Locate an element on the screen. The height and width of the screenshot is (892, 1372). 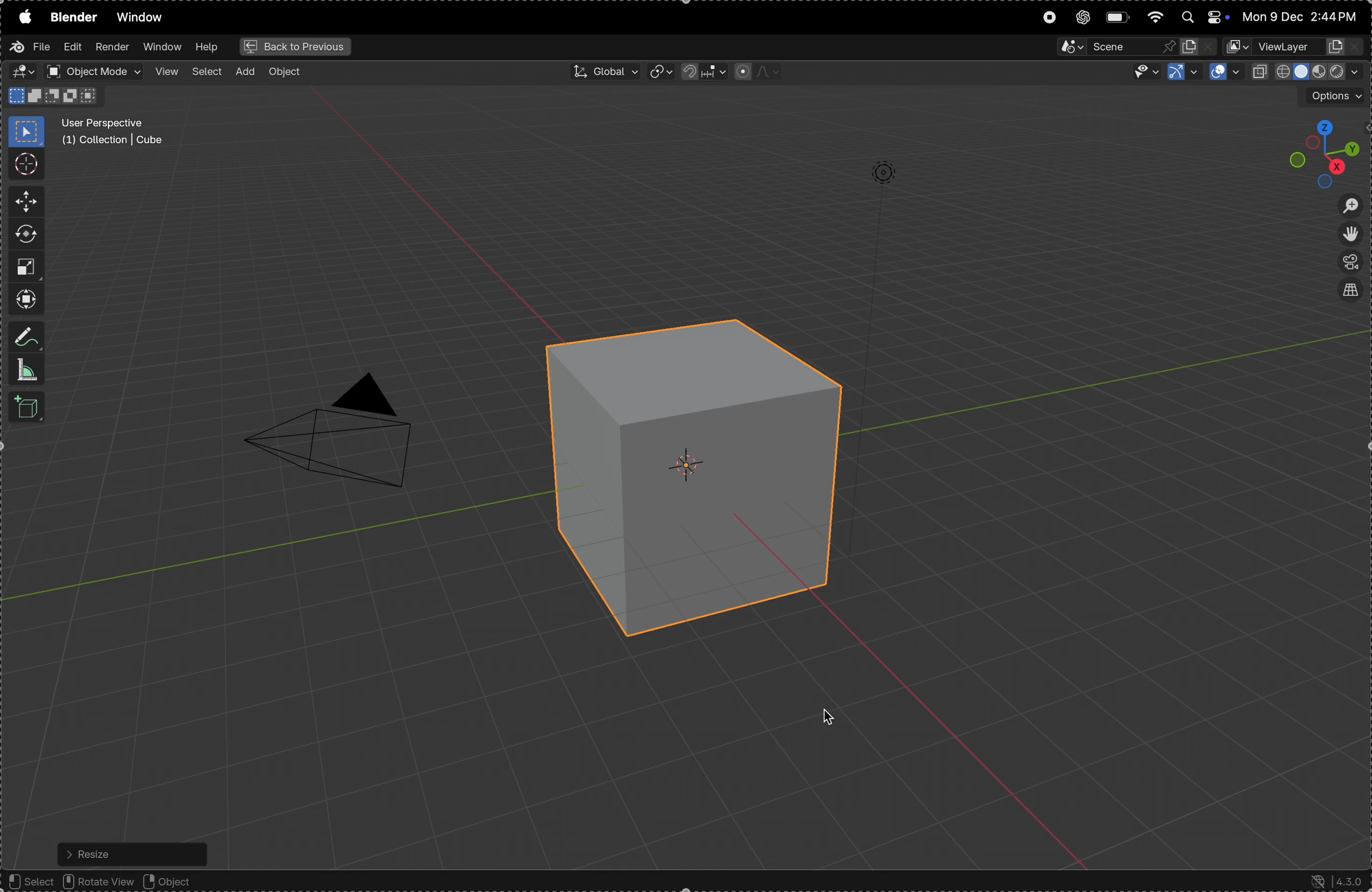
back to previous is located at coordinates (293, 47).